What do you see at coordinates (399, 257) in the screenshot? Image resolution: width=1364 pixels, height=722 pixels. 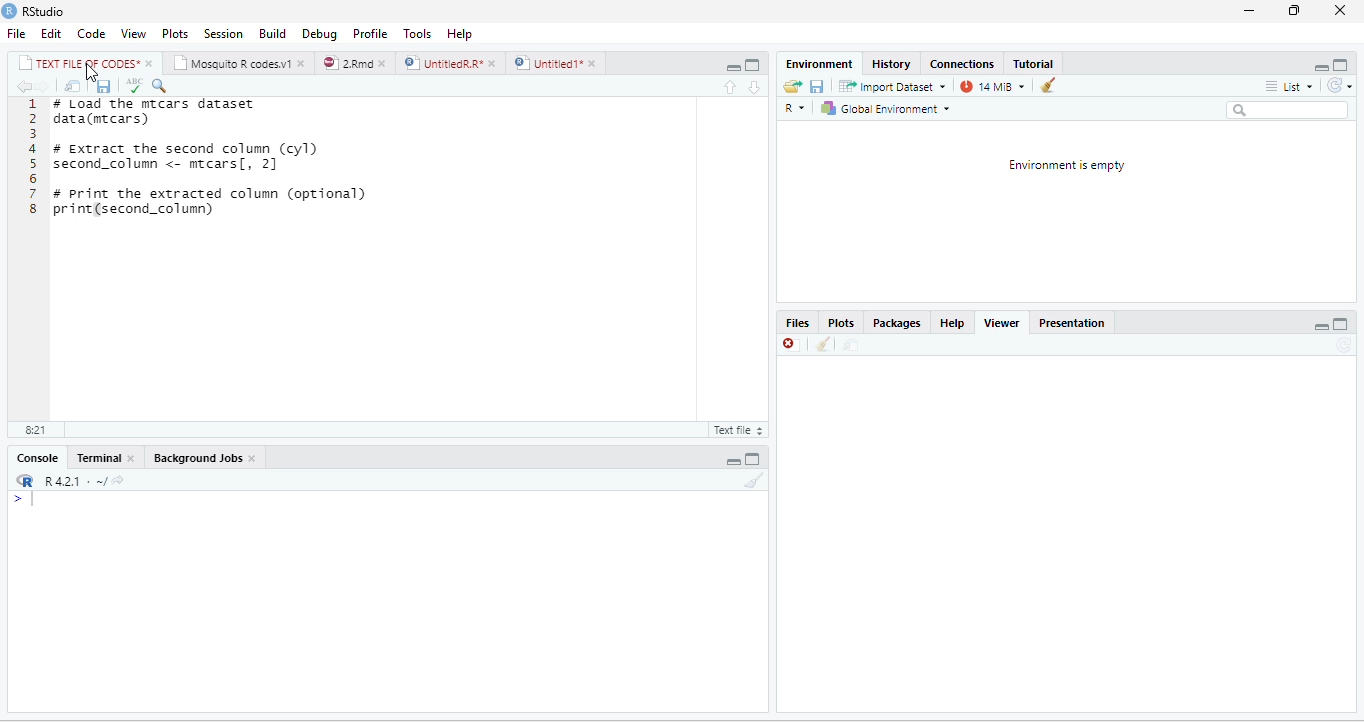 I see `1 # Load the mrcars dataset

2 data(mecars)

3

4 # Extract the second column (cyl)

5 second_column <- mrcars[, 2]

6

7 # print the extracted column (optional)
8 print(second_column)` at bounding box center [399, 257].